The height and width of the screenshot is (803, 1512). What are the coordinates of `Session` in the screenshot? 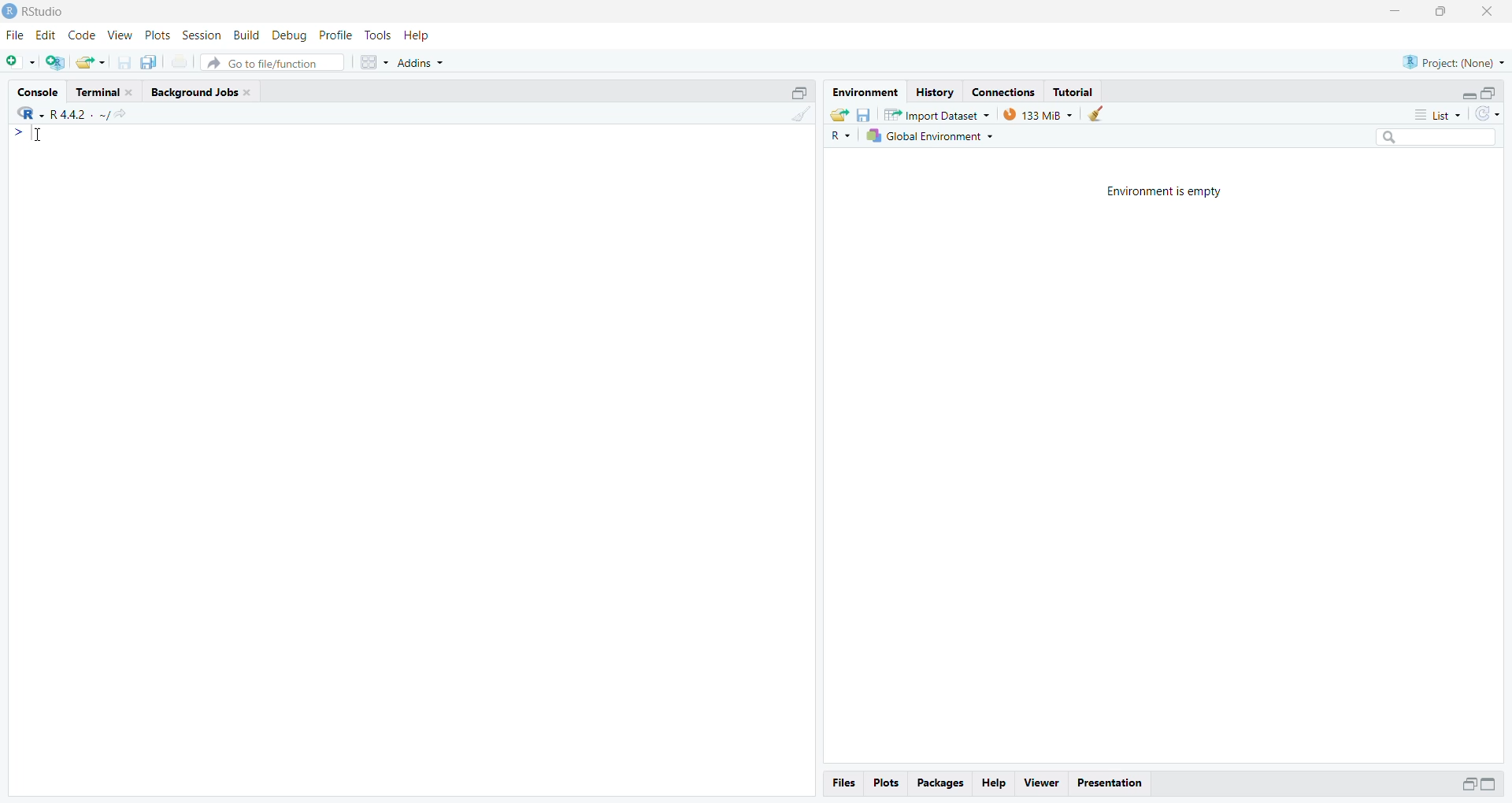 It's located at (202, 34).